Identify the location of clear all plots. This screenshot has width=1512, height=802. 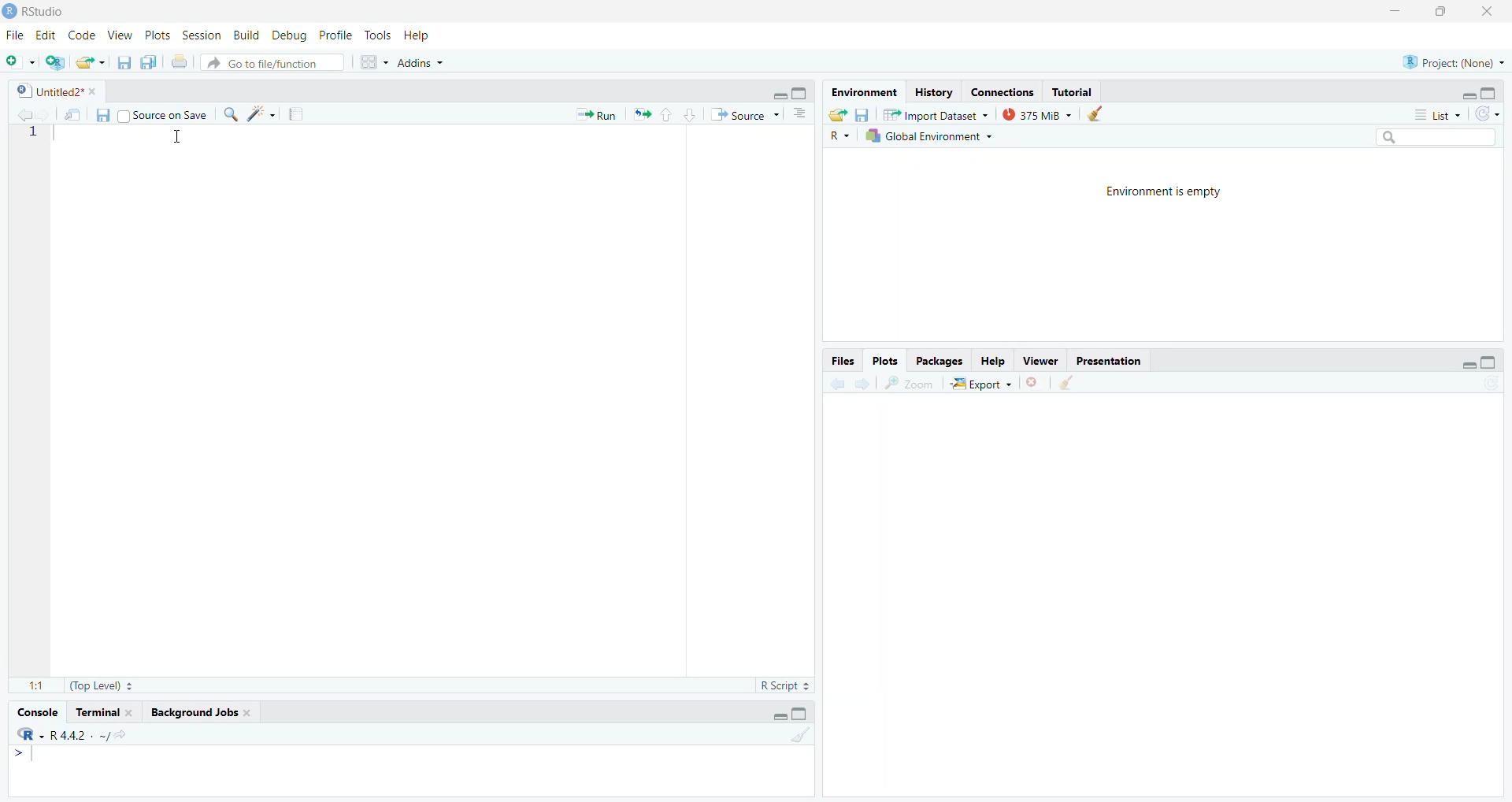
(1065, 383).